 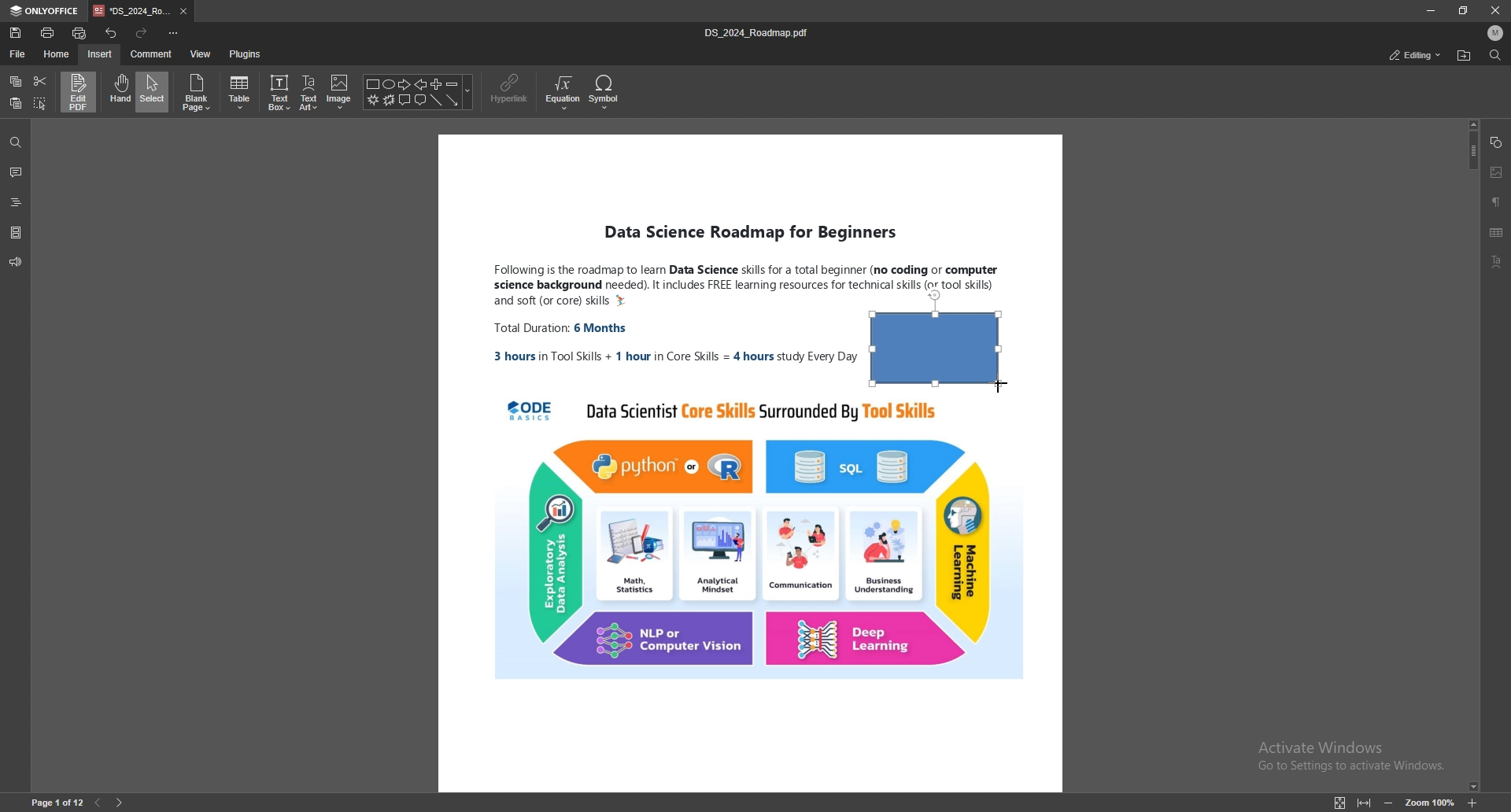 I want to click on pdf, so click(x=924, y=537).